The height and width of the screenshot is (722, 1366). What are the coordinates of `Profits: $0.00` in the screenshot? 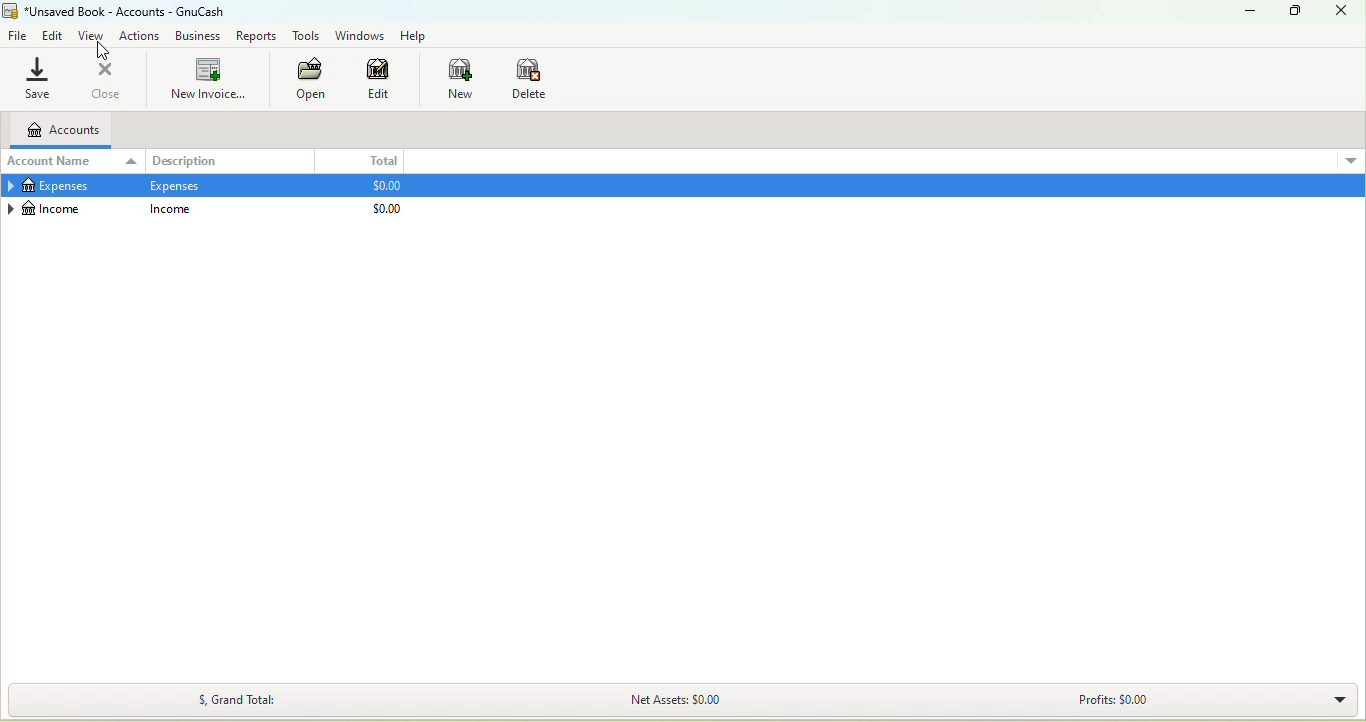 It's located at (1117, 700).